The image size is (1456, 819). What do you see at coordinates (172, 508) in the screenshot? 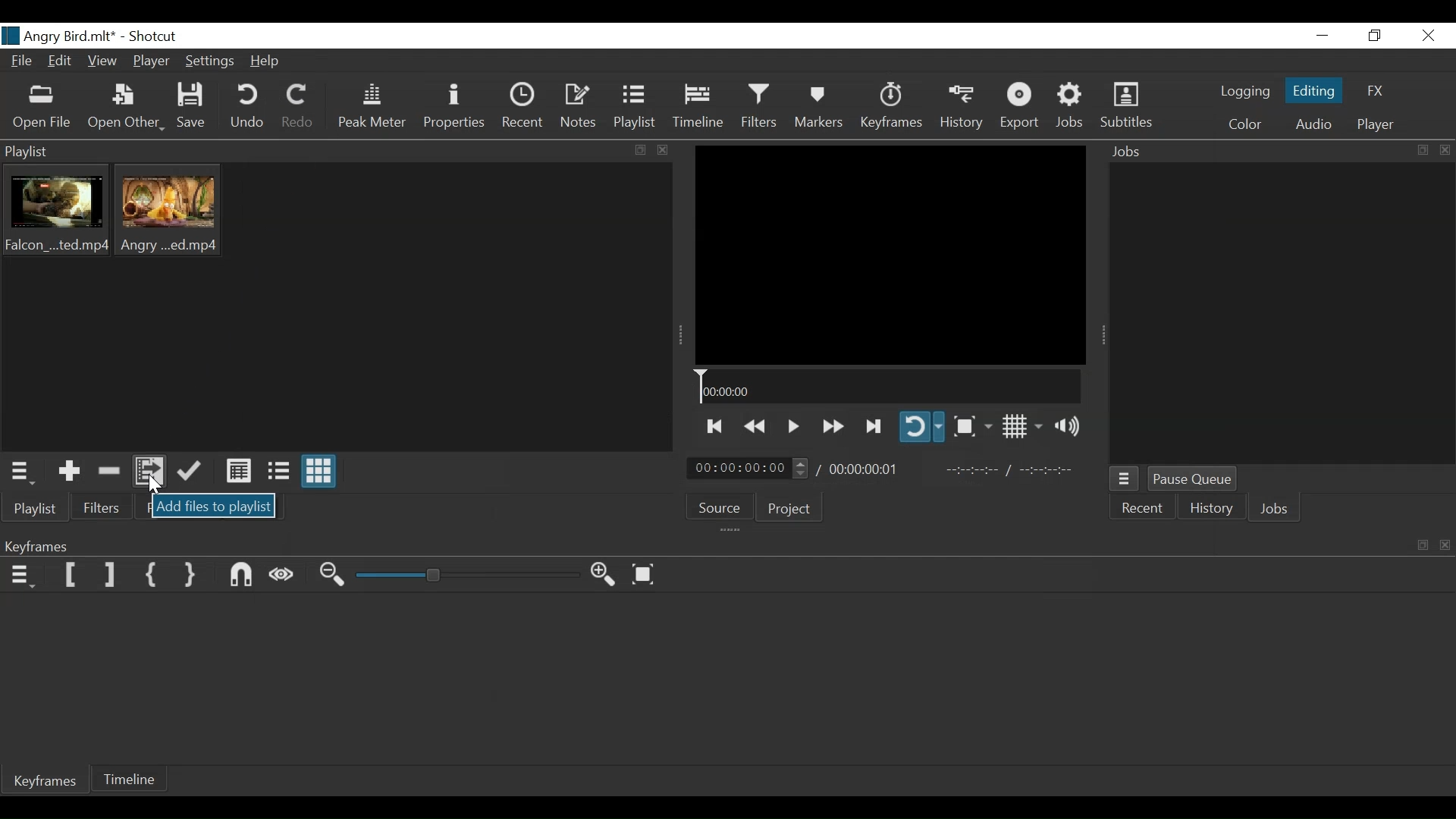
I see `Properties` at bounding box center [172, 508].